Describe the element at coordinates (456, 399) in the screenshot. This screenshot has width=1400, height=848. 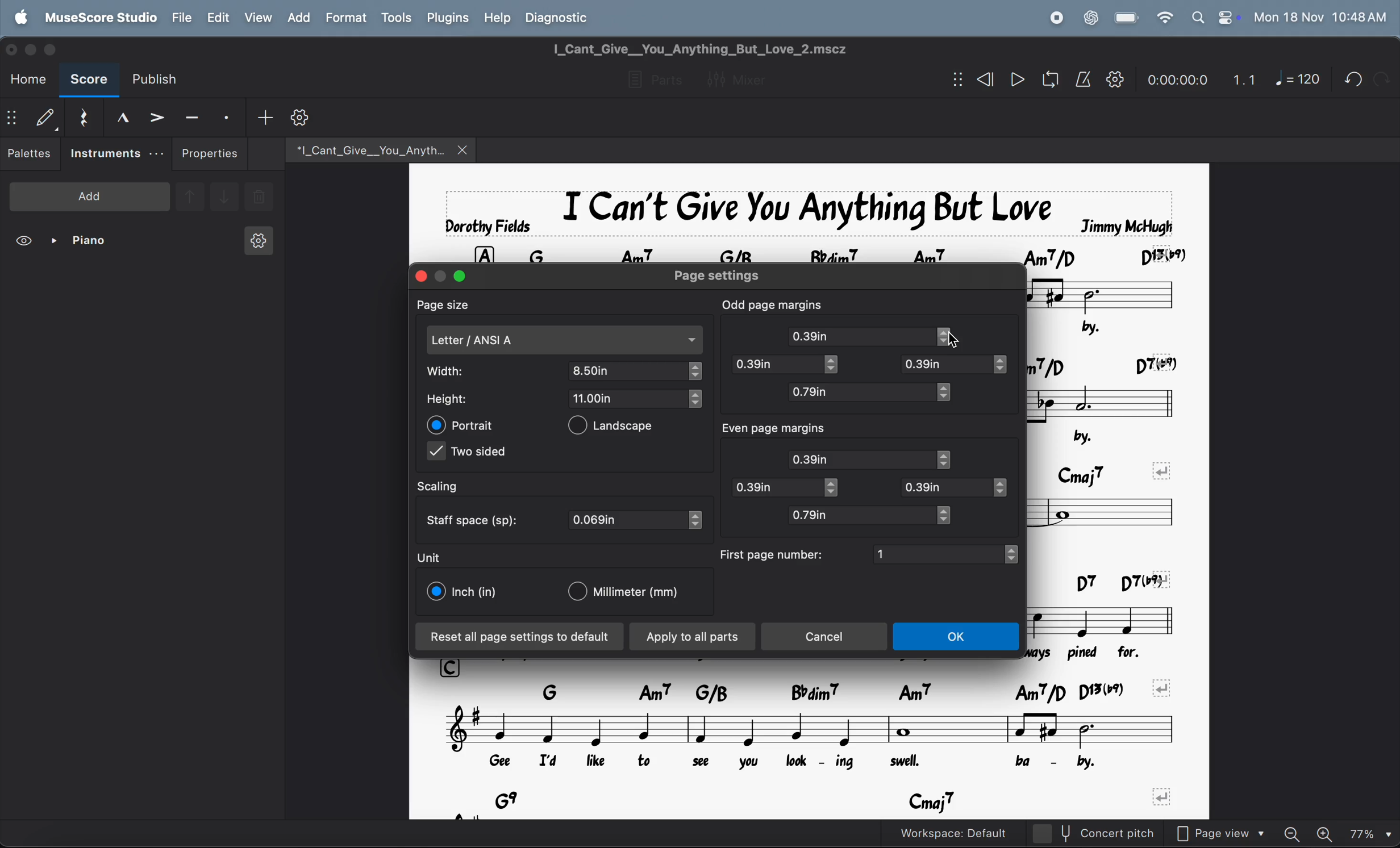
I see `height` at that location.